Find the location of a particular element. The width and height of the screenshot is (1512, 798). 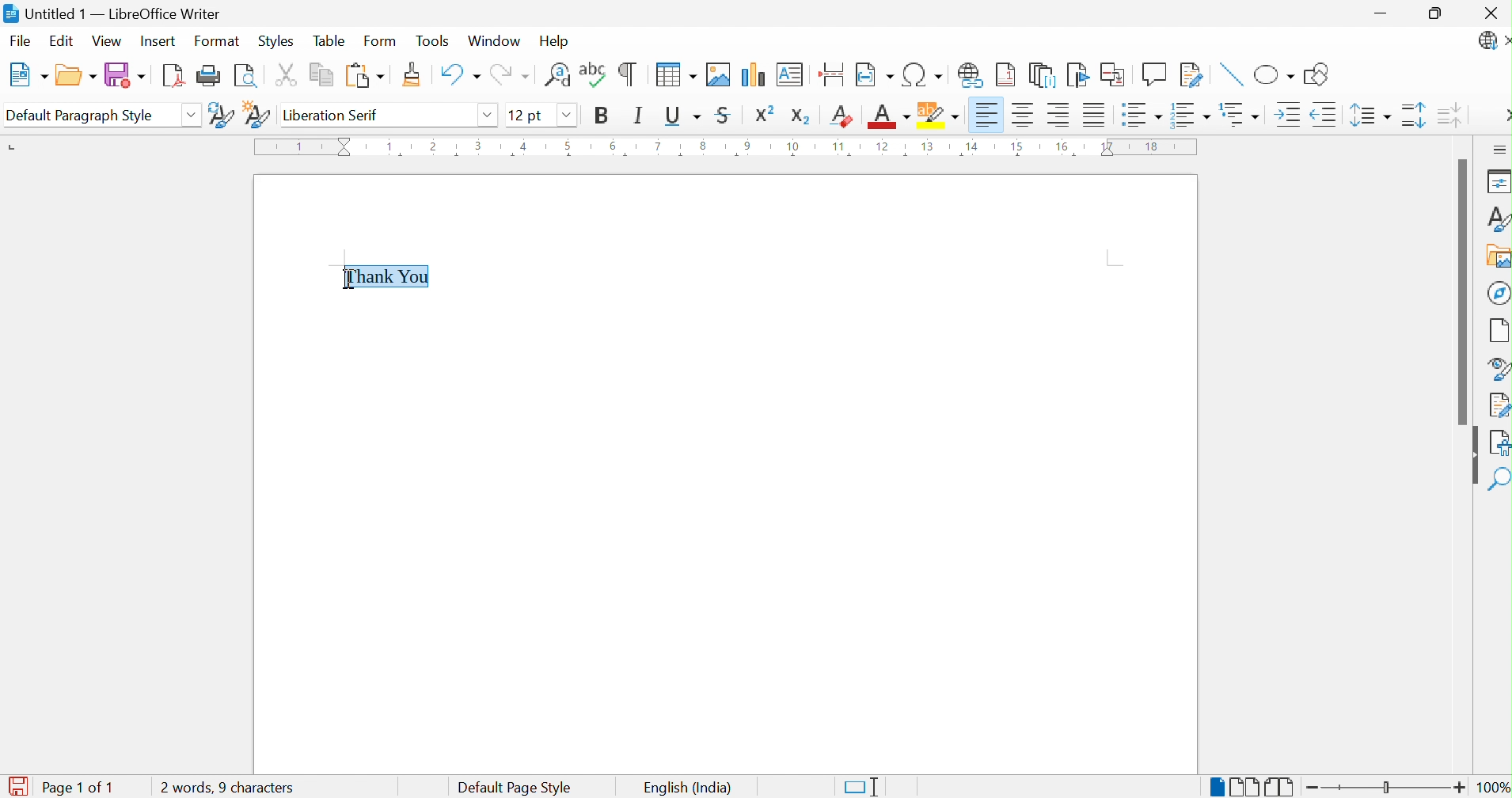

Insert Cross-reference is located at coordinates (1115, 74).